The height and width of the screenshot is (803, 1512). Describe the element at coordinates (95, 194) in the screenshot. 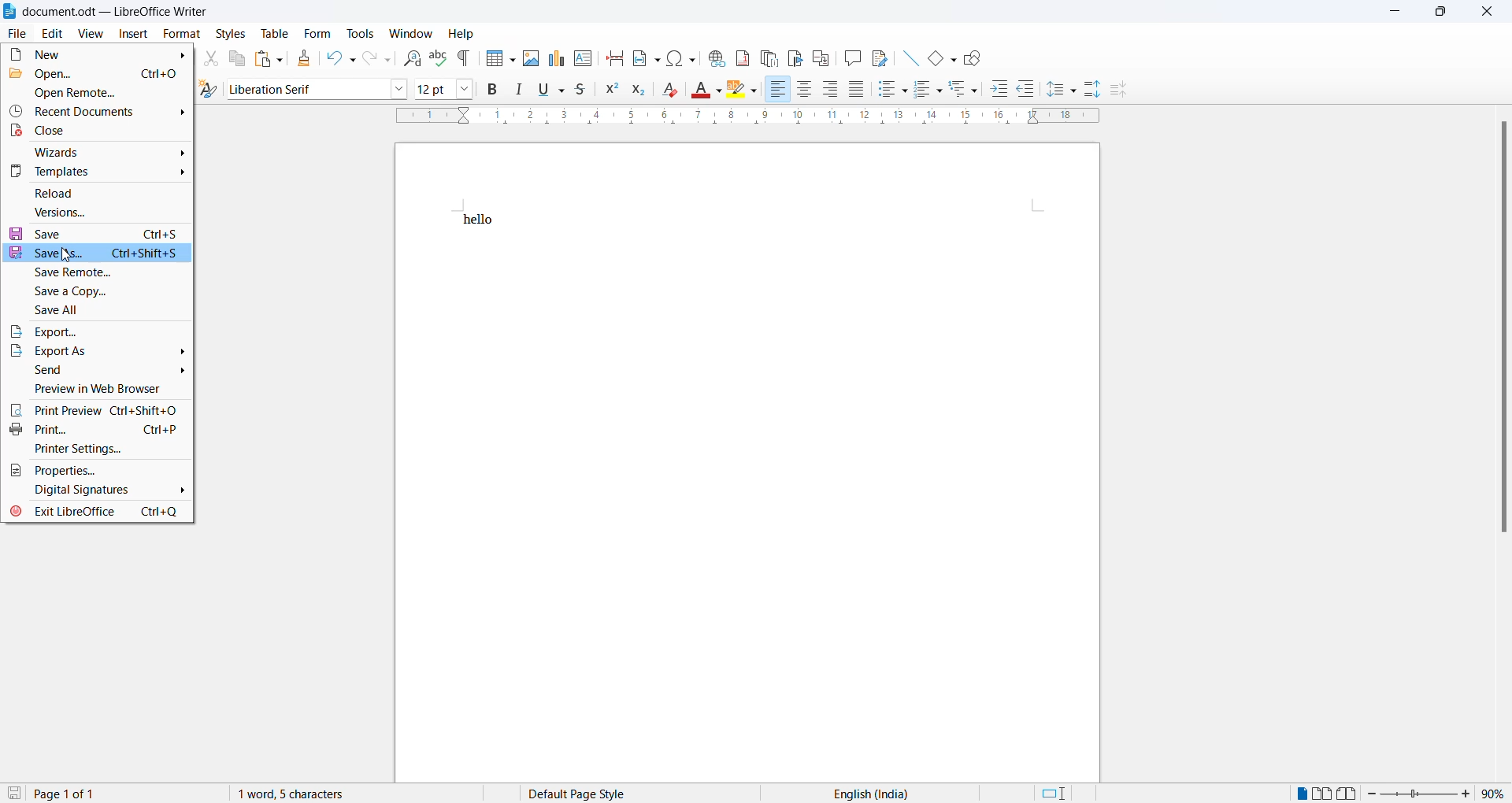

I see `Reload` at that location.